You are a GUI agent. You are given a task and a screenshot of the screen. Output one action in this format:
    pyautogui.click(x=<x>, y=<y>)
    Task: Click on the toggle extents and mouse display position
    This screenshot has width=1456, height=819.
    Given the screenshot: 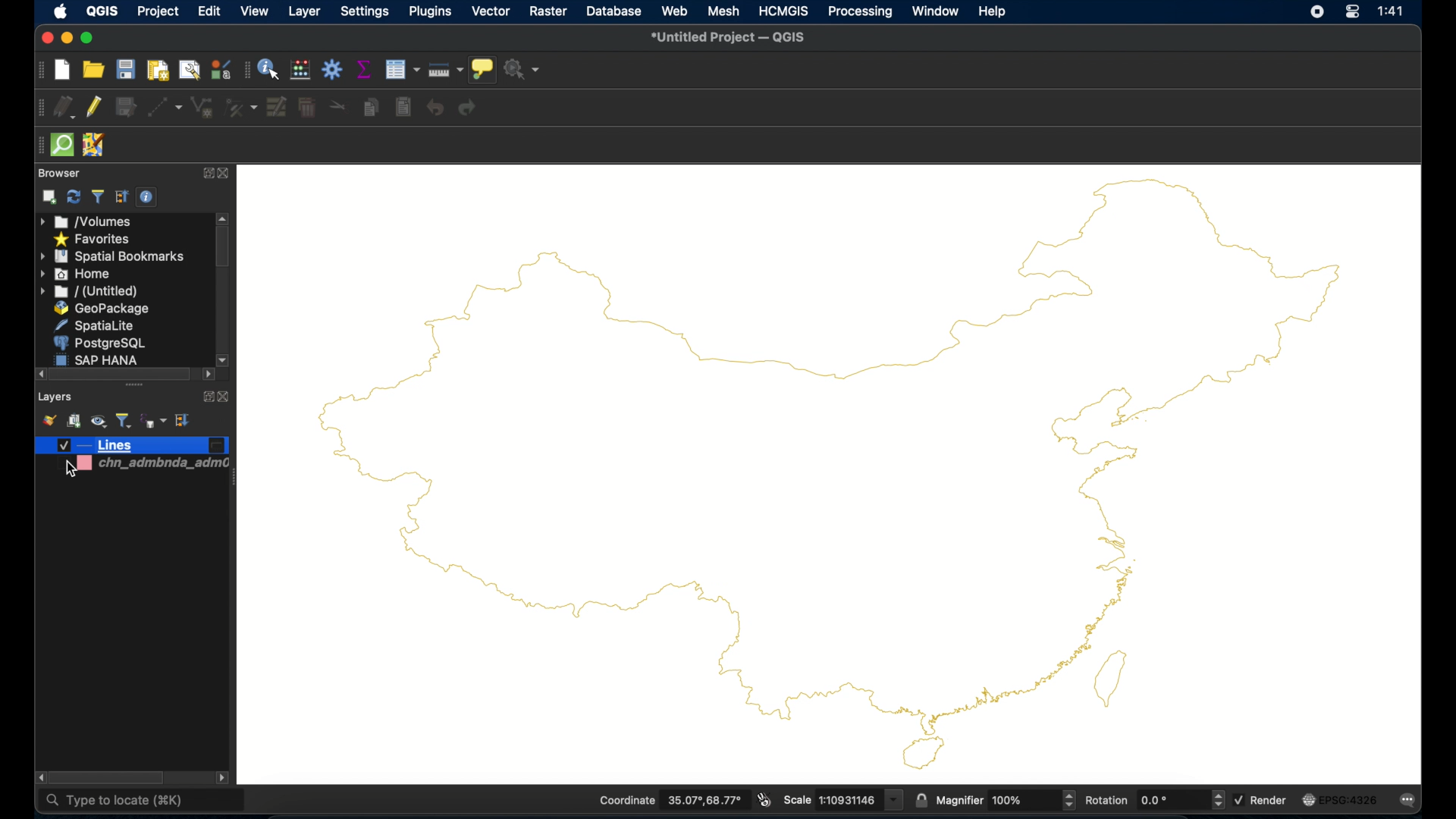 What is the action you would take?
    pyautogui.click(x=764, y=799)
    